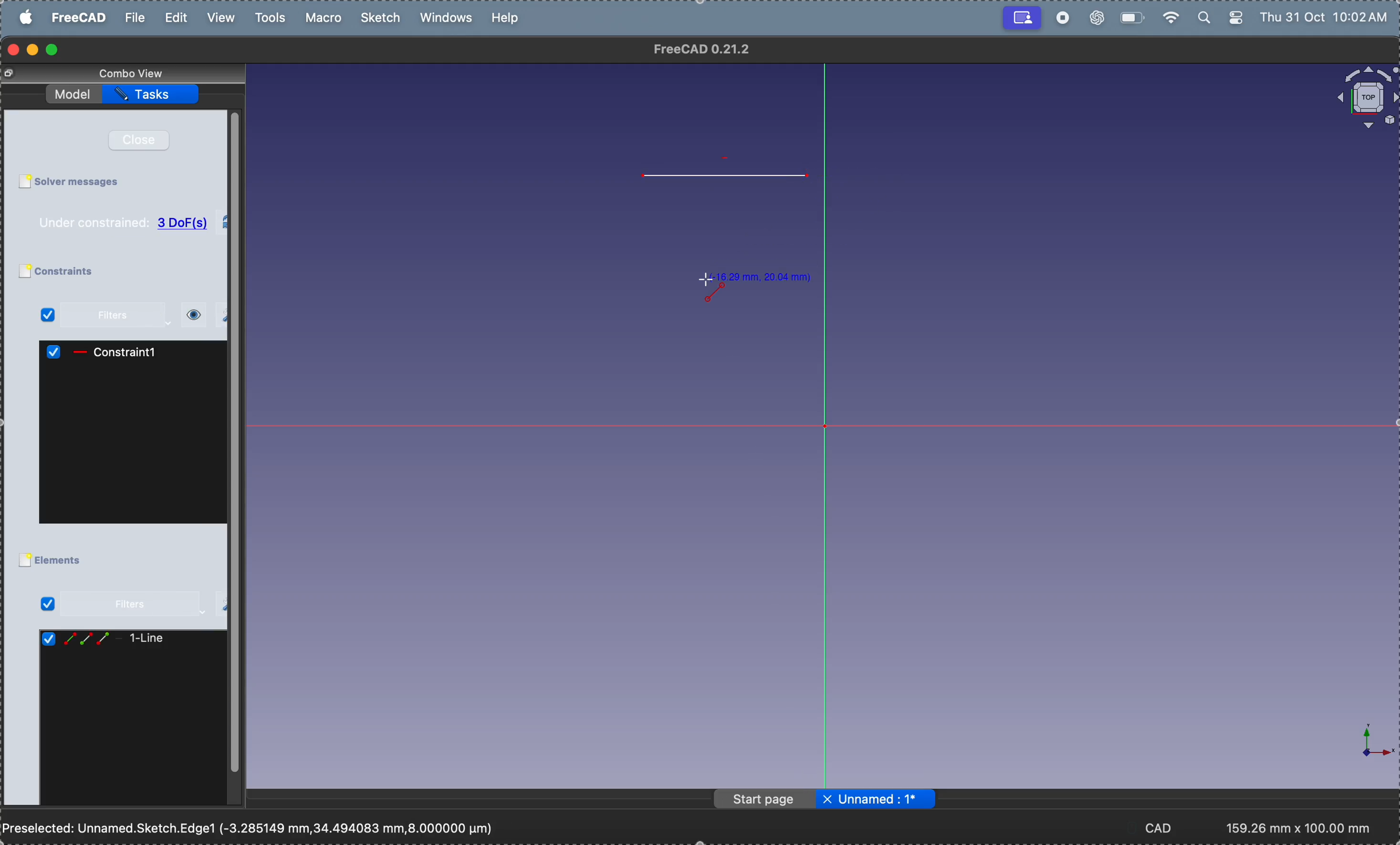 Image resolution: width=1400 pixels, height=845 pixels. What do you see at coordinates (193, 315) in the screenshot?
I see `view` at bounding box center [193, 315].